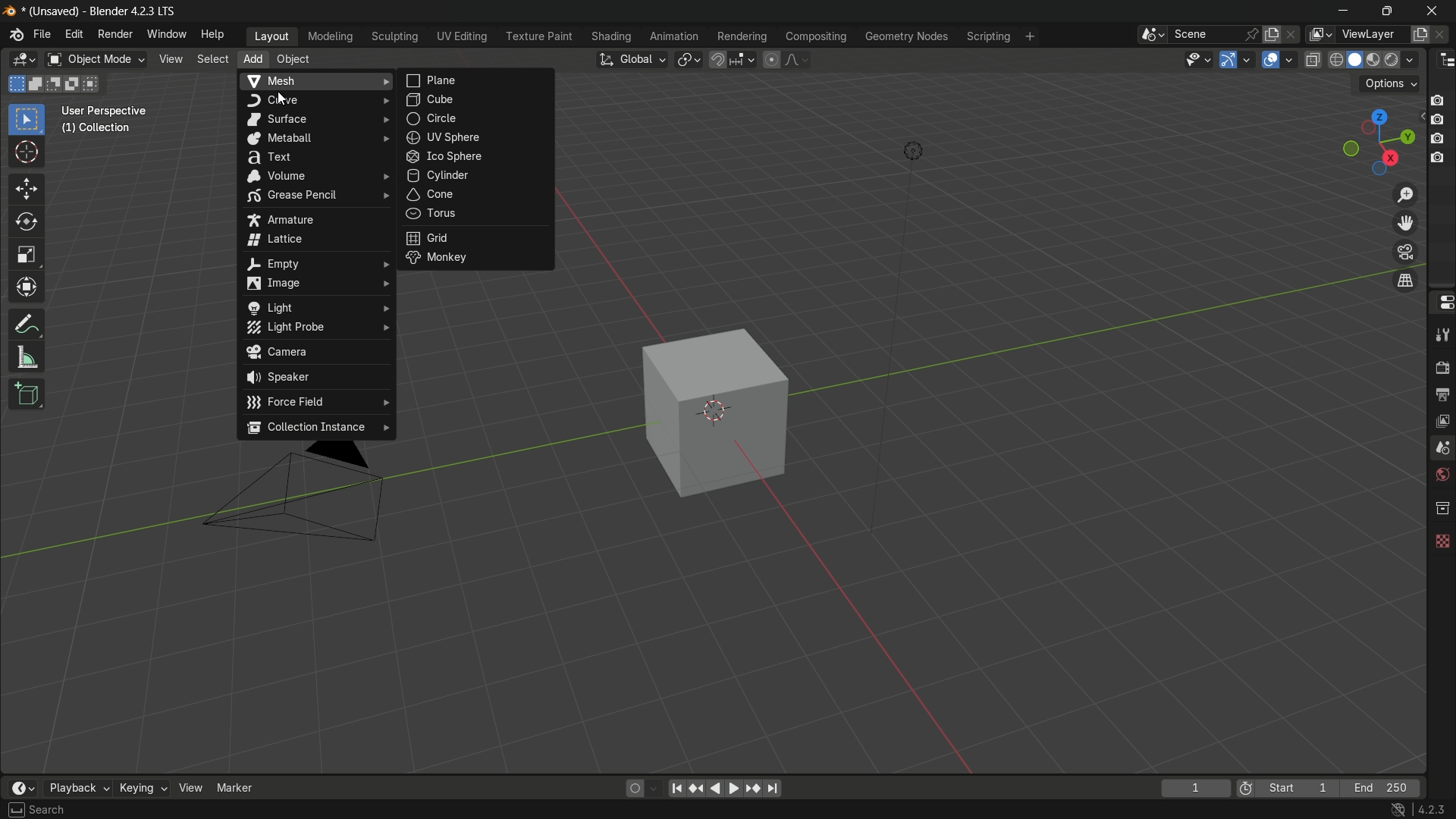 Image resolution: width=1456 pixels, height=819 pixels. I want to click on selectability and visibility, so click(1197, 59).